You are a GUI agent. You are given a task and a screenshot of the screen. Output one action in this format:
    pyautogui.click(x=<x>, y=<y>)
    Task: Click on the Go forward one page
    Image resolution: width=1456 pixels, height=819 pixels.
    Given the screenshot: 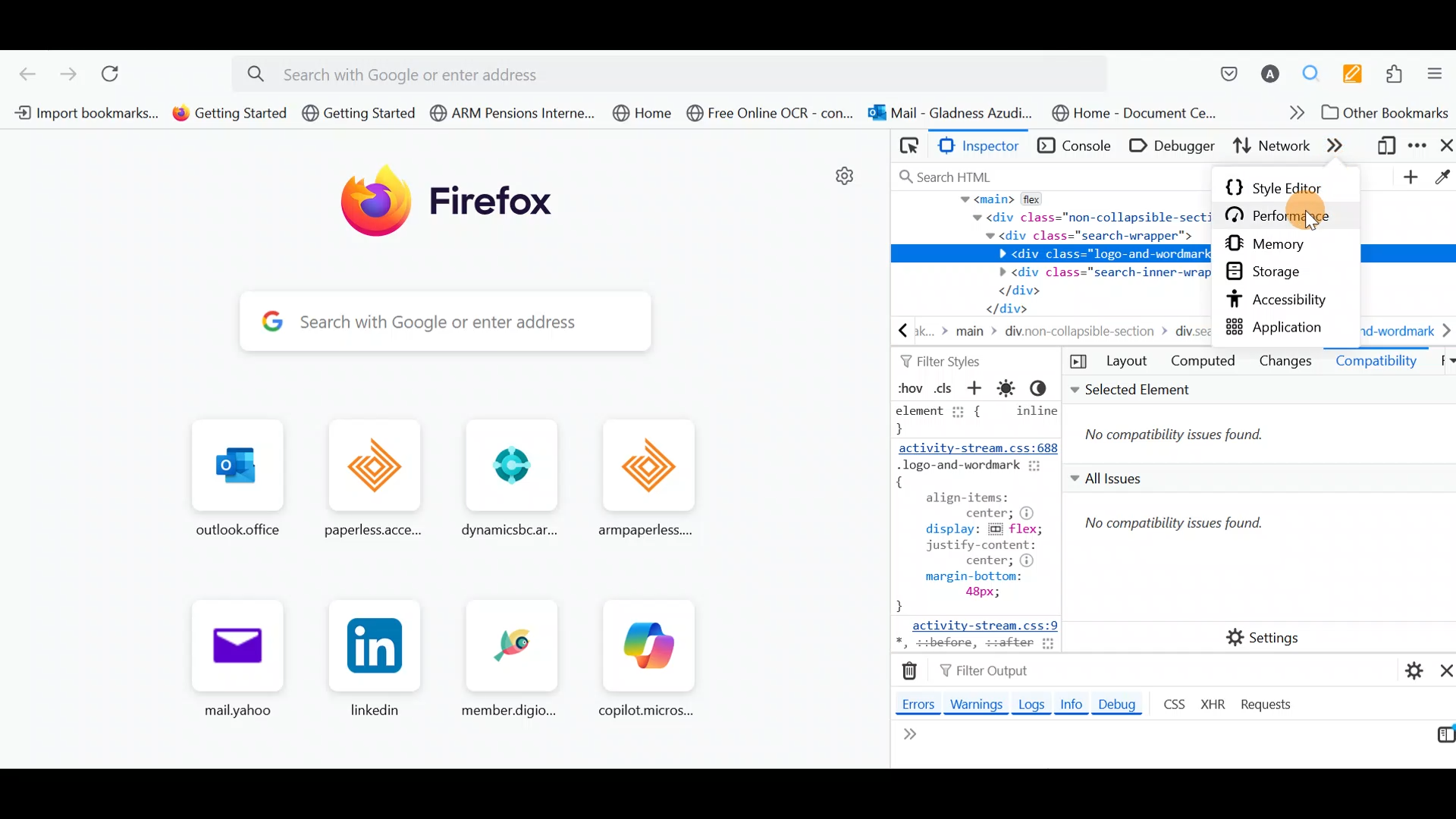 What is the action you would take?
    pyautogui.click(x=67, y=74)
    